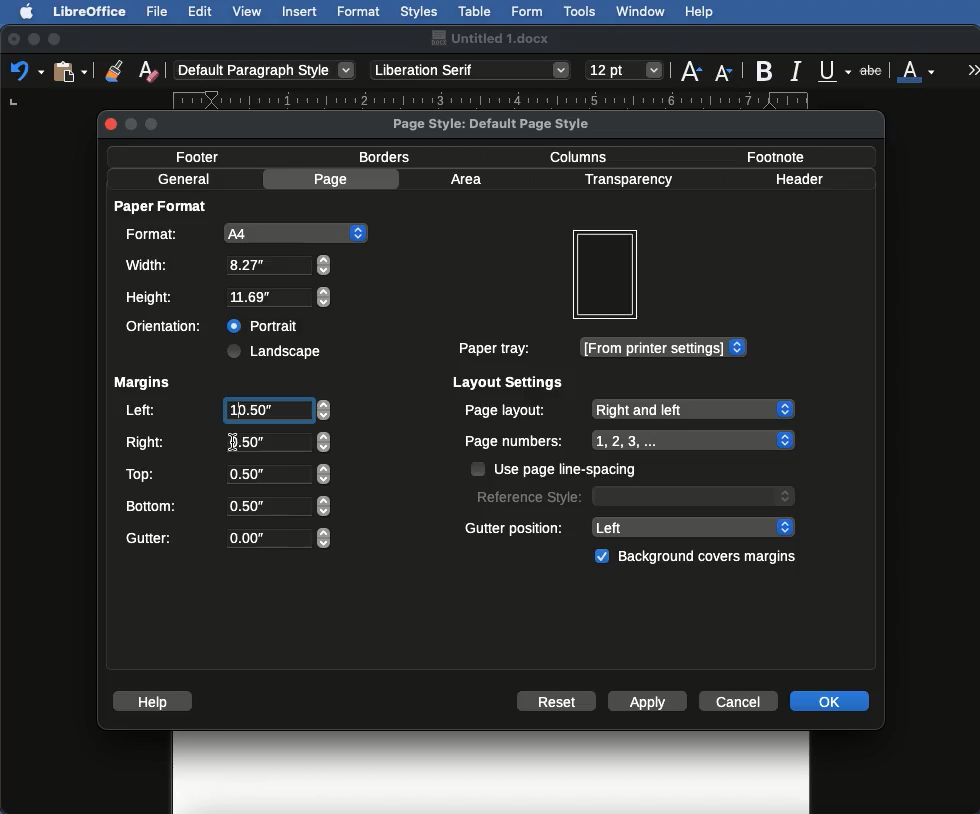 Image resolution: width=980 pixels, height=814 pixels. I want to click on Paper format, so click(162, 205).